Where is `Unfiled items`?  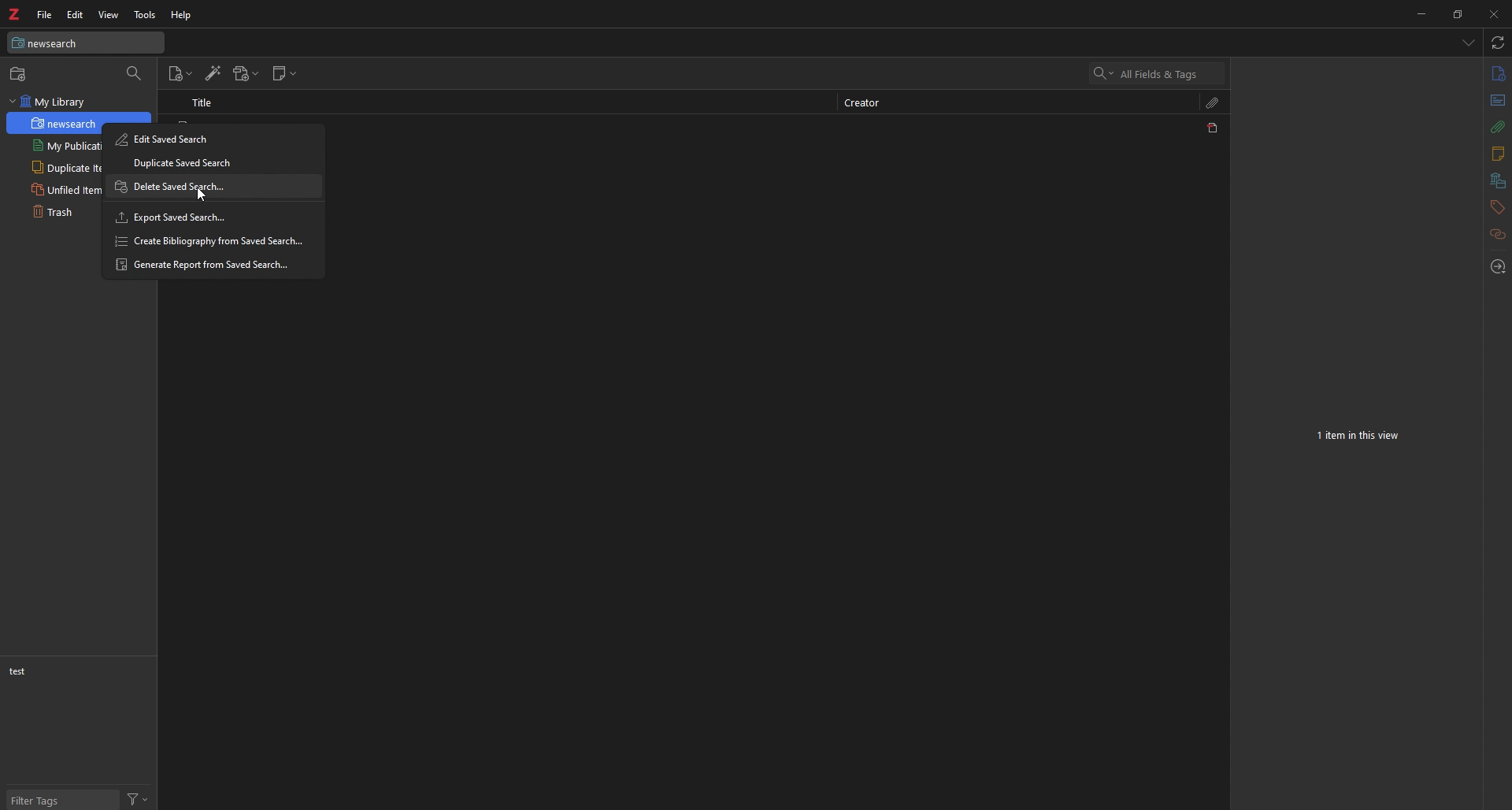
Unfiled items is located at coordinates (63, 190).